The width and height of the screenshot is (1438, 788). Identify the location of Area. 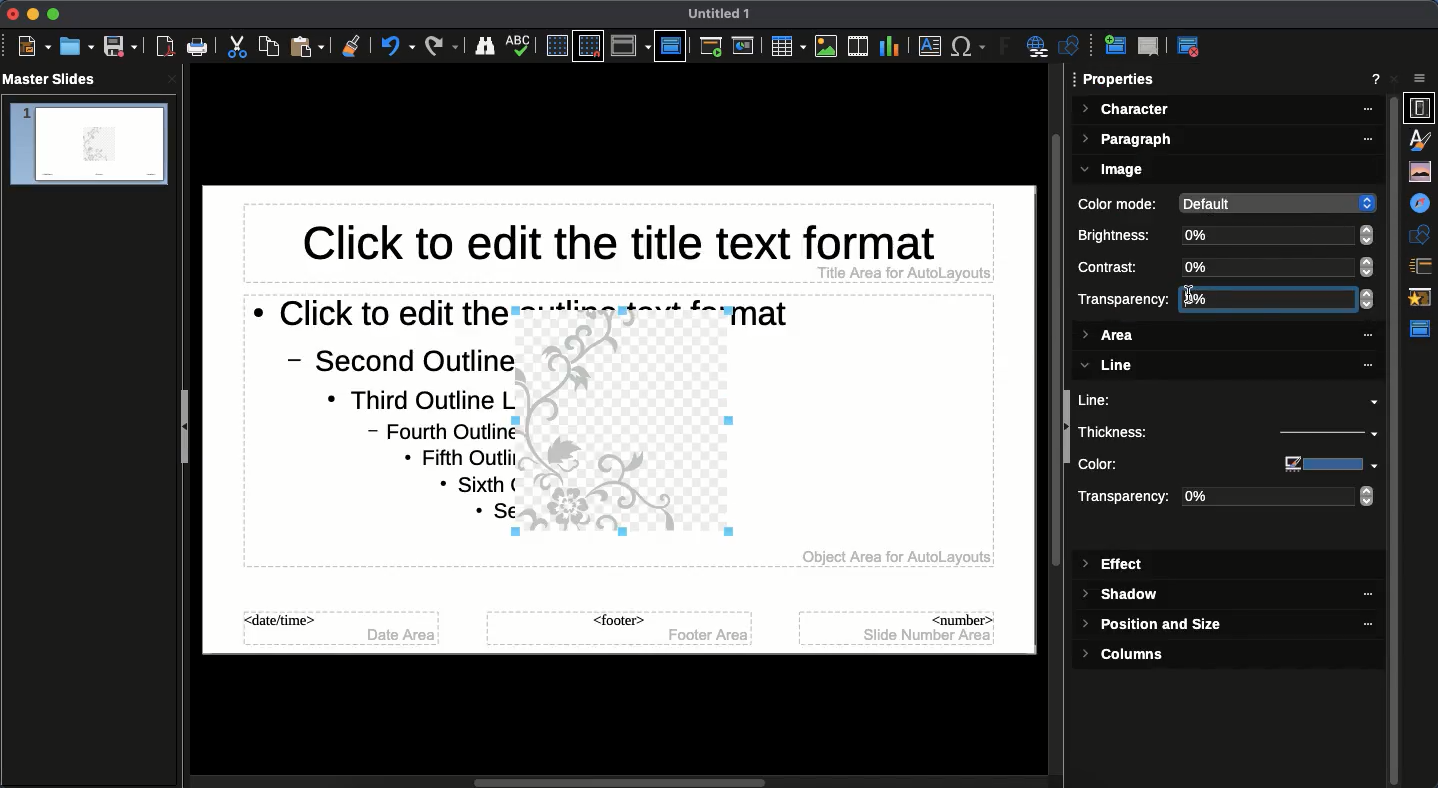
(1227, 335).